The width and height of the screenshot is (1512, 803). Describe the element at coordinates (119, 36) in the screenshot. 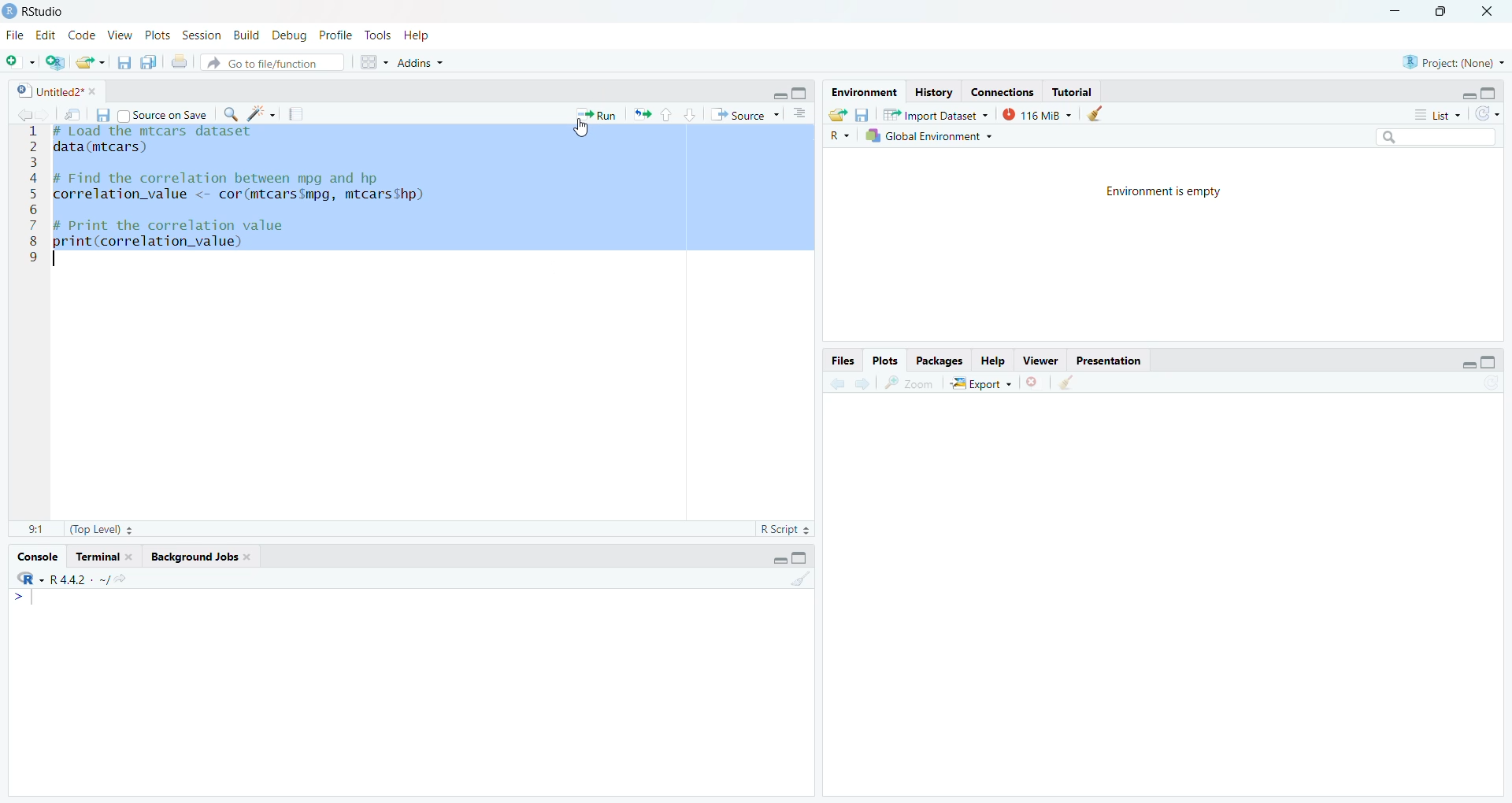

I see `View` at that location.